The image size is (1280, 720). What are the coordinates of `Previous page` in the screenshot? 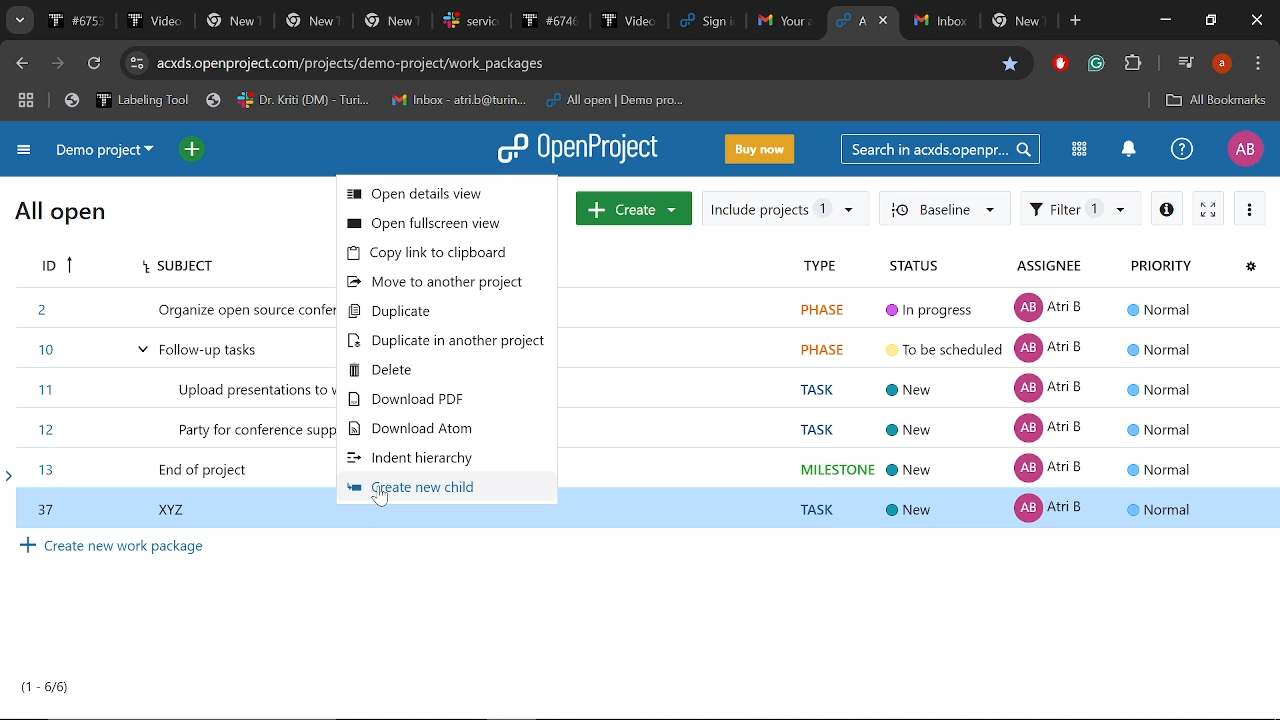 It's located at (19, 64).